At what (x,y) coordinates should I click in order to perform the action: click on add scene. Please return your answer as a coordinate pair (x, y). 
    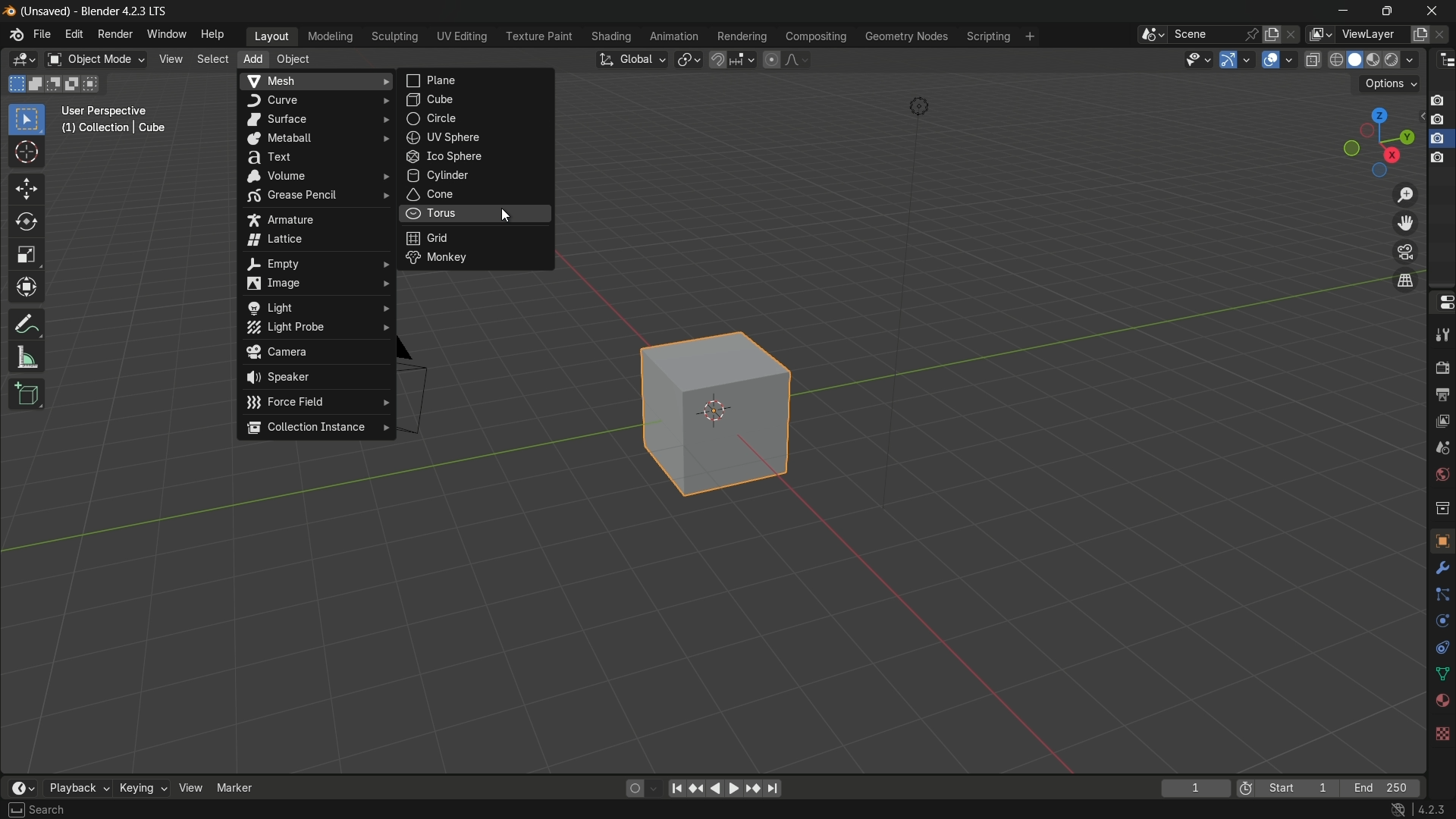
    Looking at the image, I should click on (1272, 35).